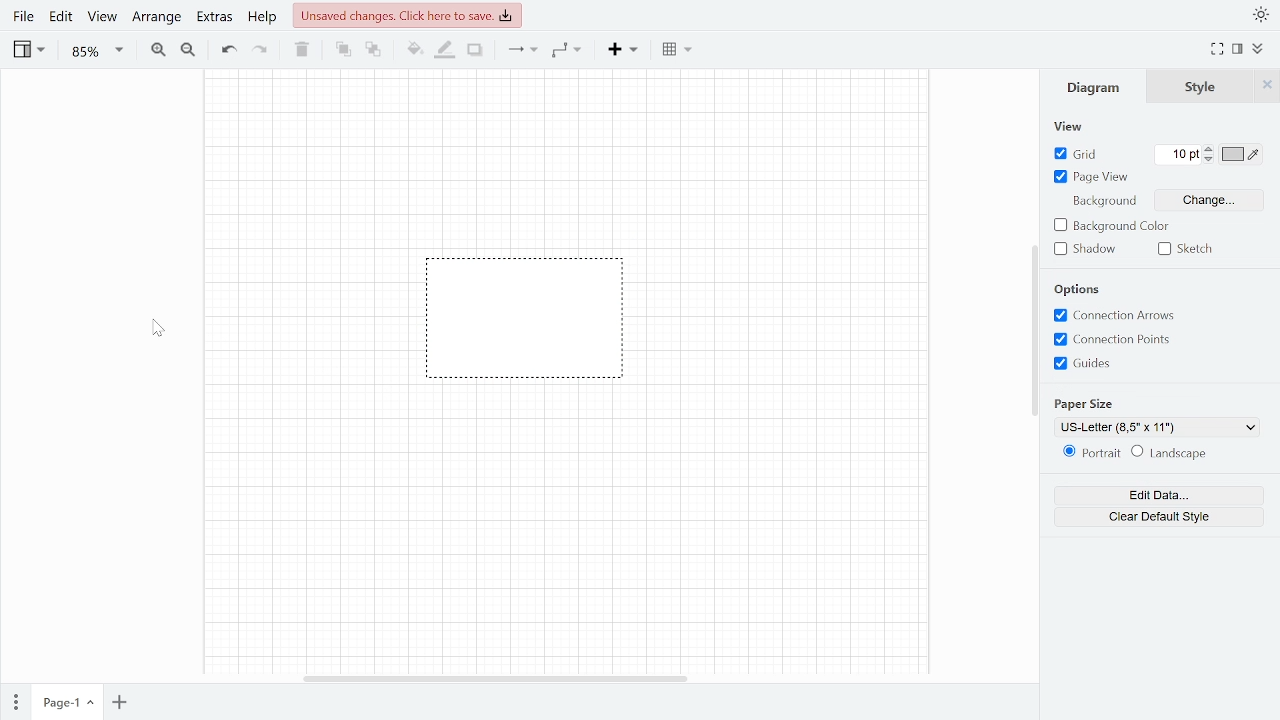  What do you see at coordinates (566, 52) in the screenshot?
I see `Waypoints` at bounding box center [566, 52].